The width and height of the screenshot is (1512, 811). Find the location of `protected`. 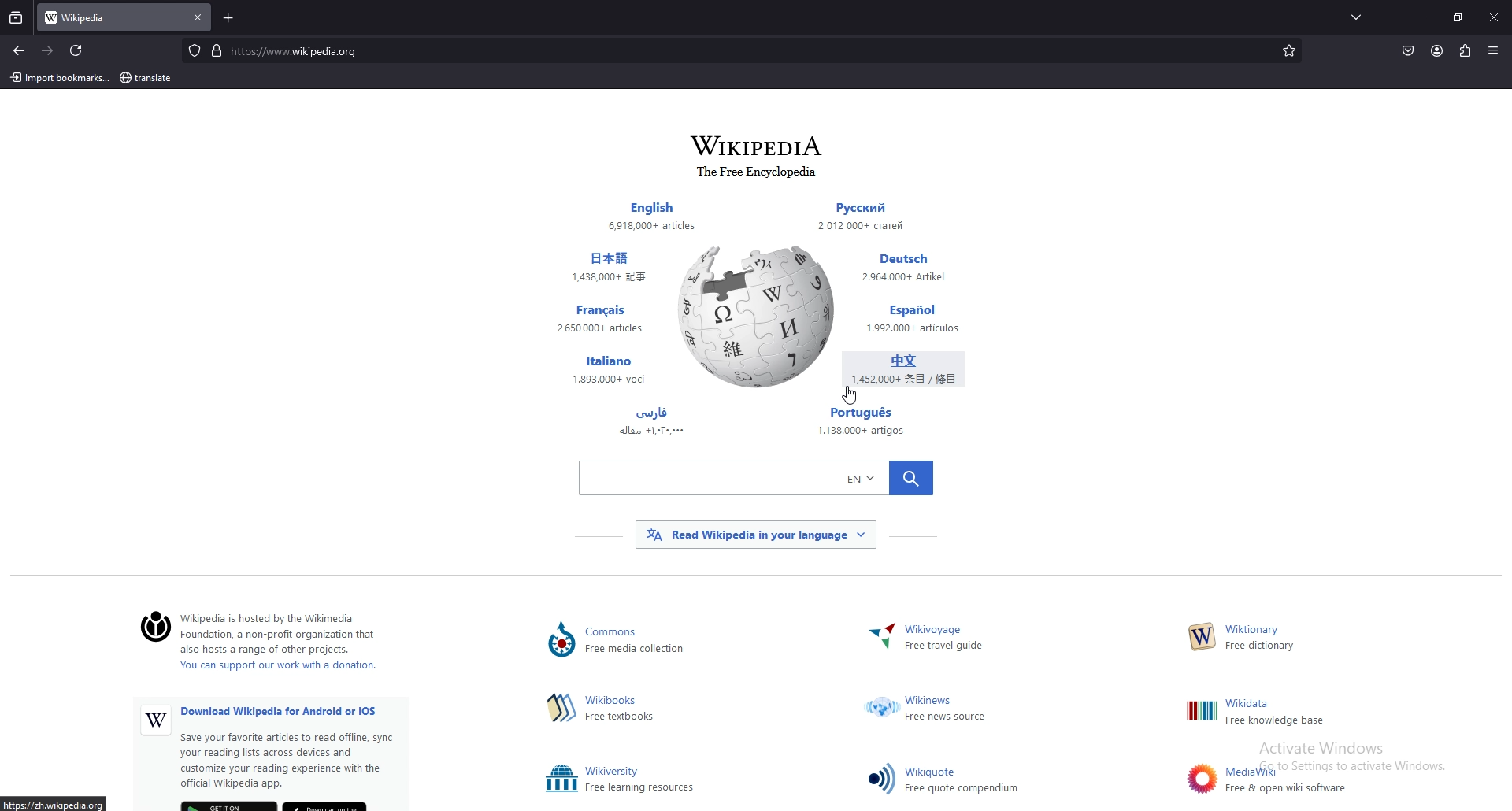

protected is located at coordinates (194, 50).